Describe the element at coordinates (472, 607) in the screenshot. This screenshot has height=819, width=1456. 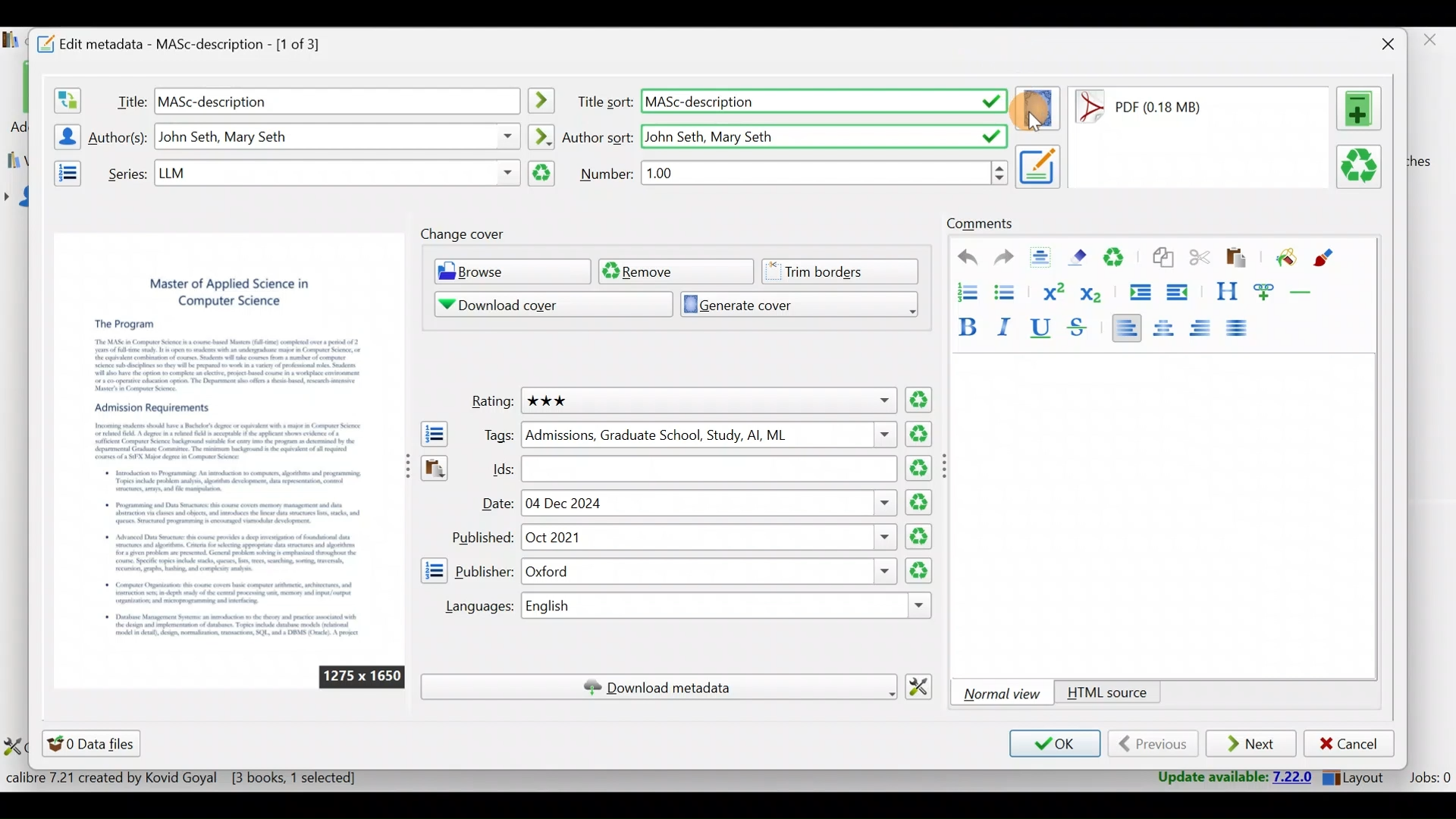
I see `Languages` at that location.